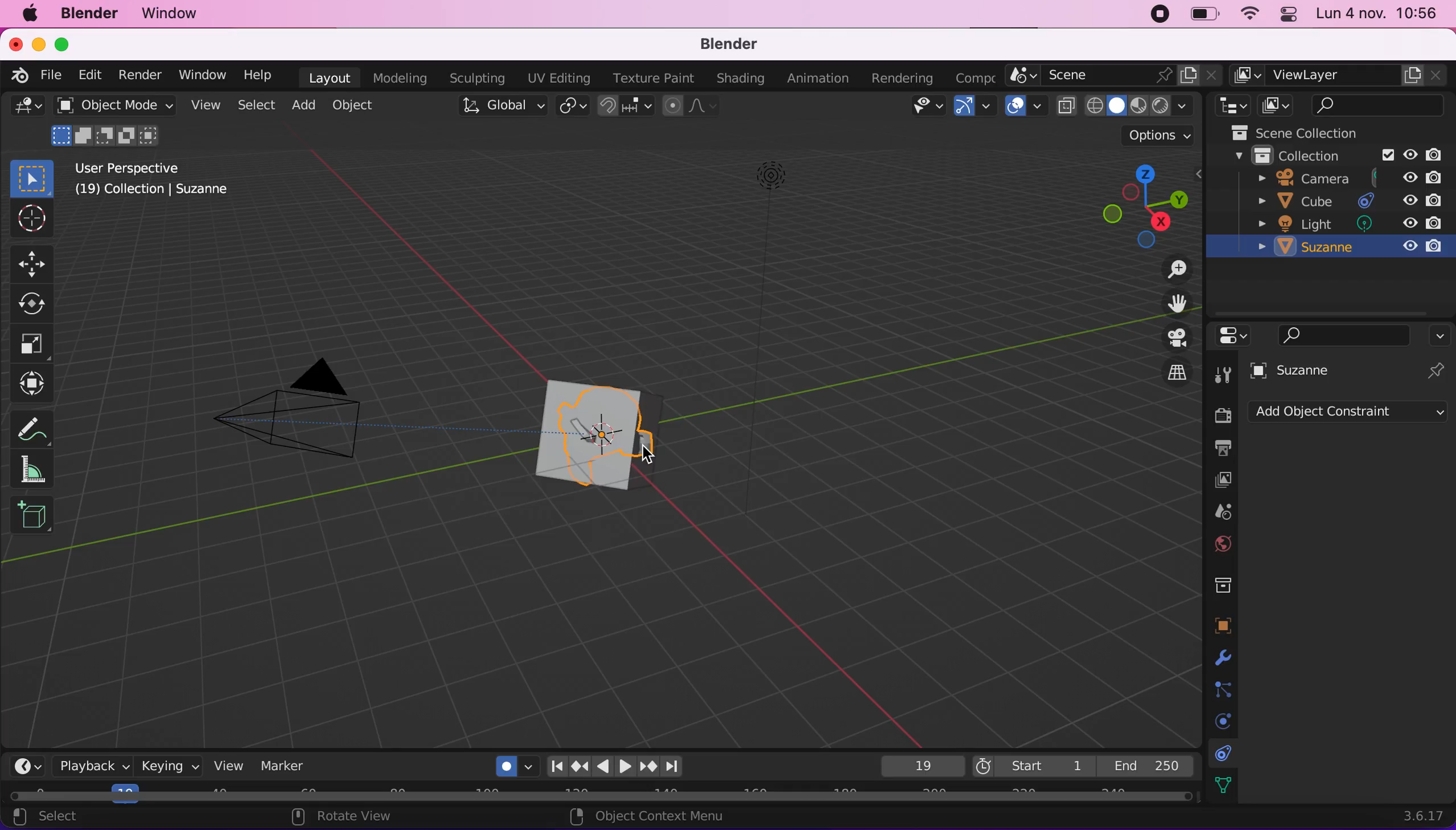 This screenshot has height=830, width=1456. What do you see at coordinates (1438, 369) in the screenshot?
I see `pin` at bounding box center [1438, 369].